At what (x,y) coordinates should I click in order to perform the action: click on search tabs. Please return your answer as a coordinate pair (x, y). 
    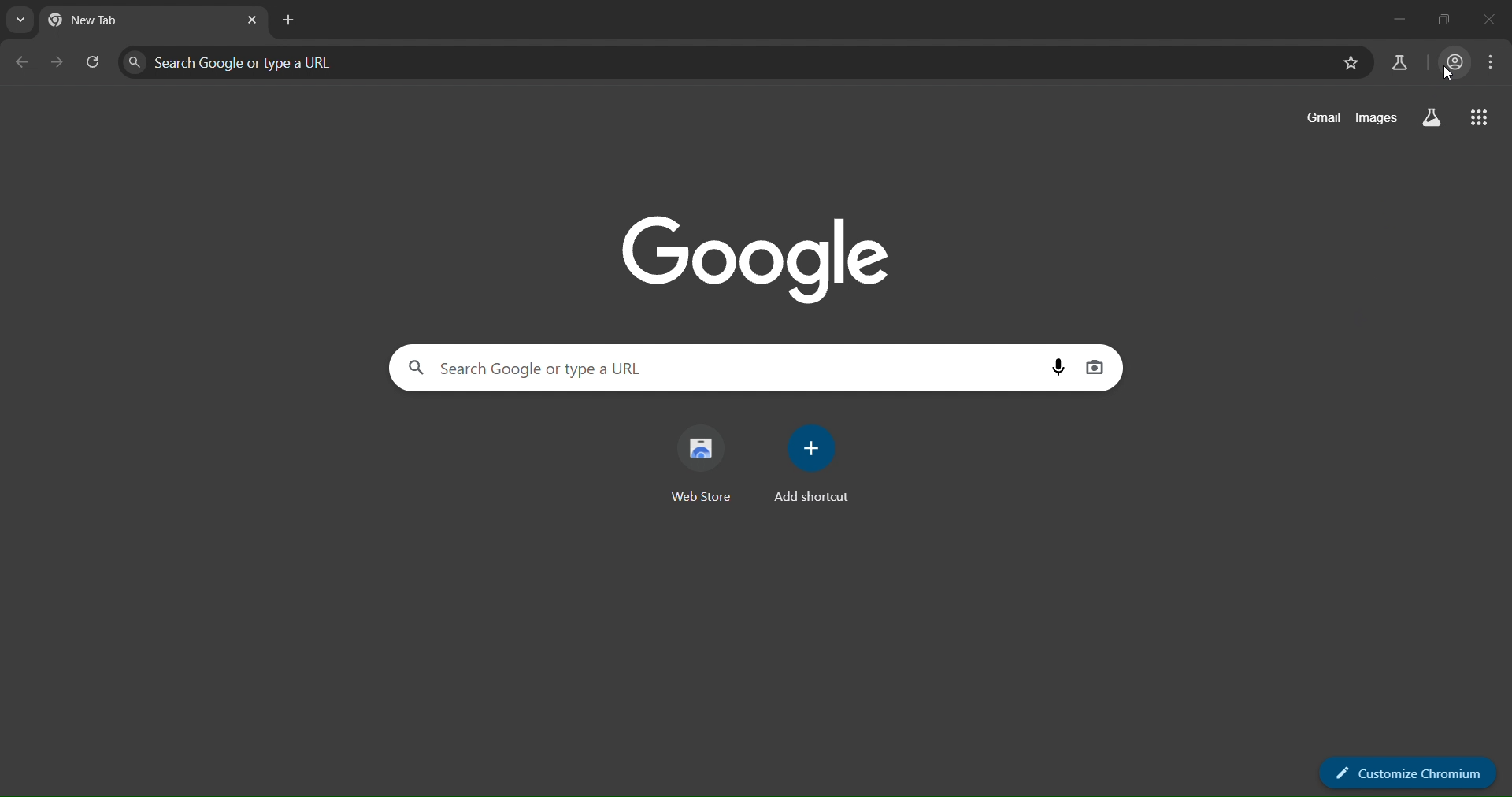
    Looking at the image, I should click on (20, 20).